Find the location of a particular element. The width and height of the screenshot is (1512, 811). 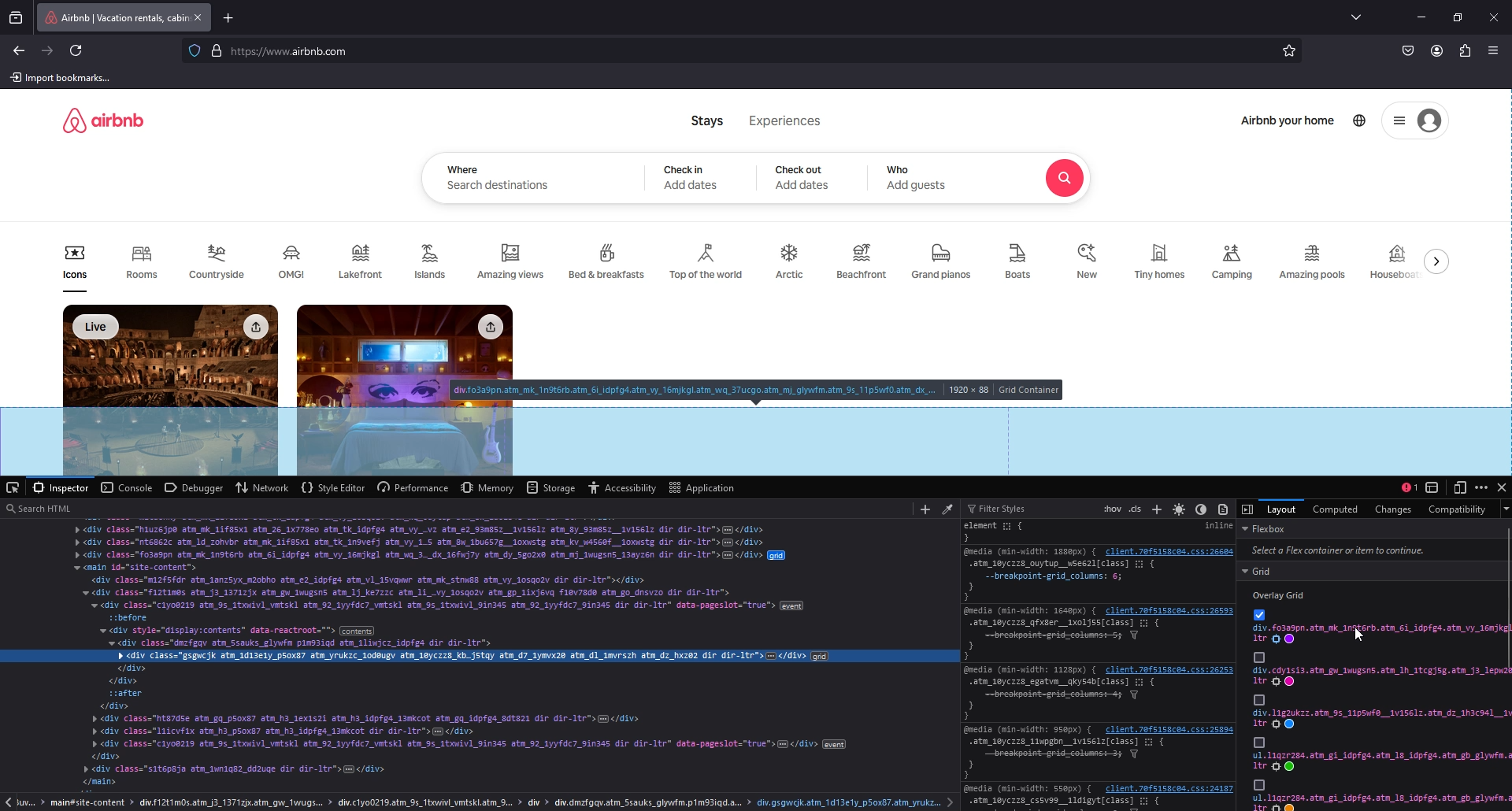

Add guests is located at coordinates (918, 185).